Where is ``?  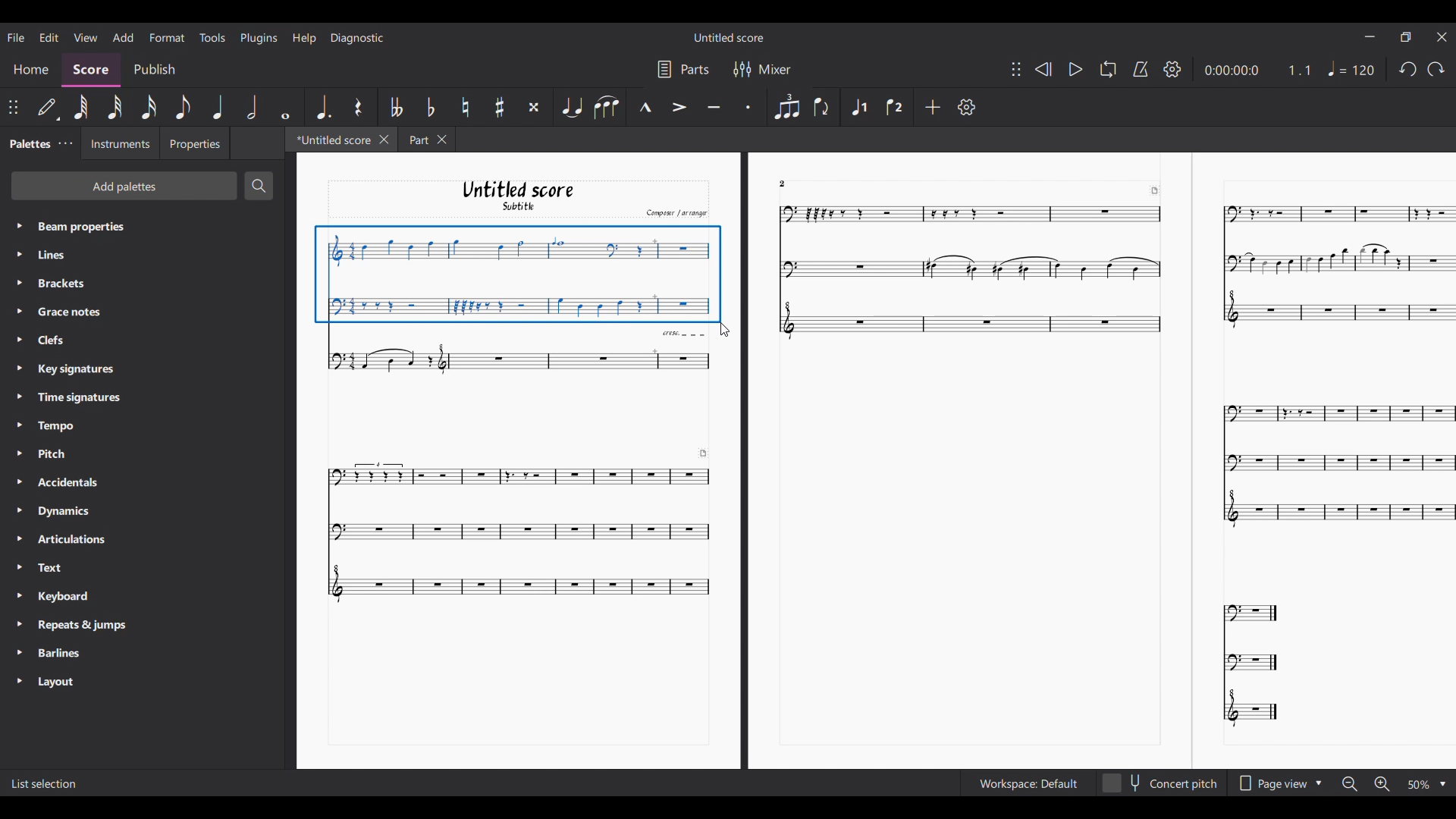
 is located at coordinates (664, 67).